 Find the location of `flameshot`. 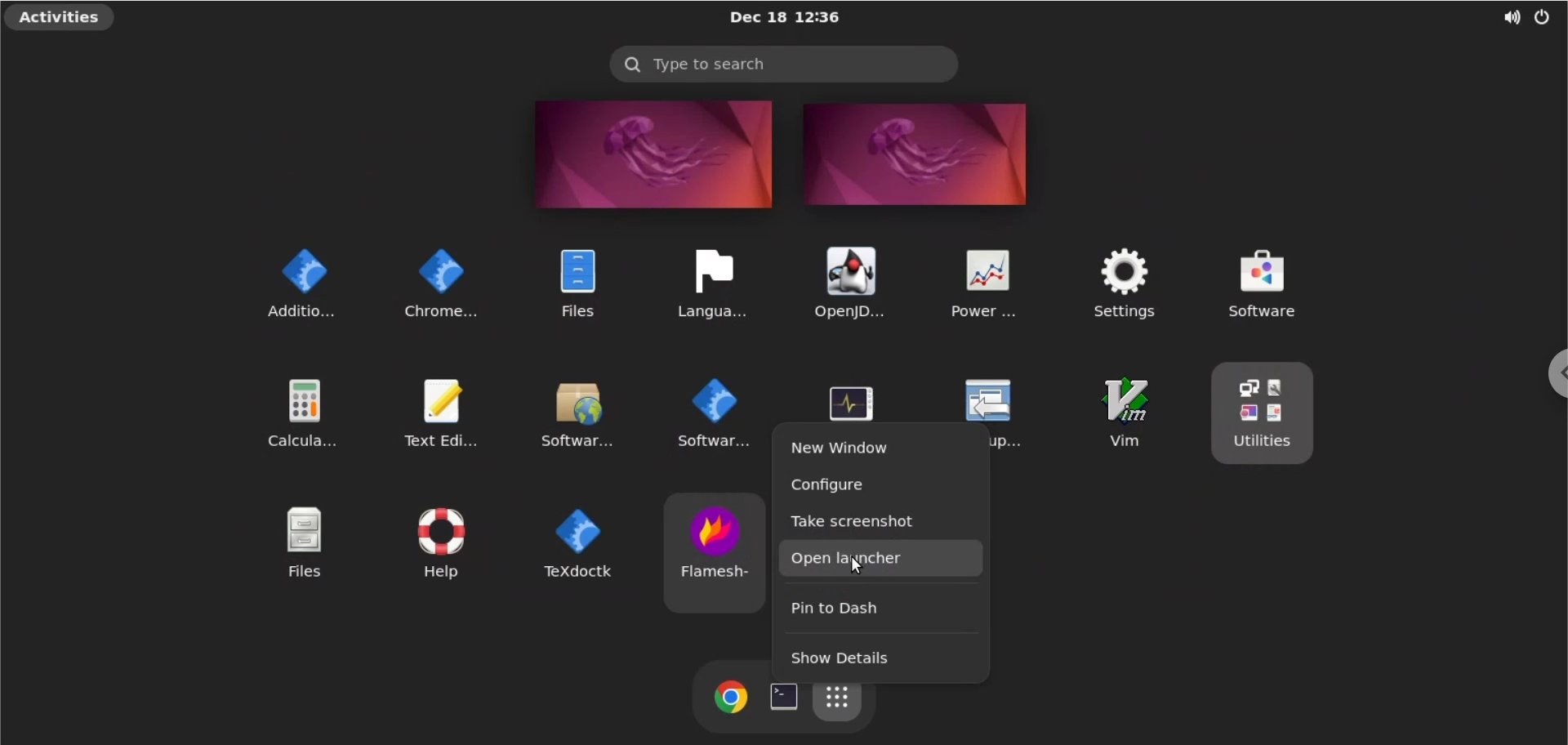

flameshot is located at coordinates (717, 542).